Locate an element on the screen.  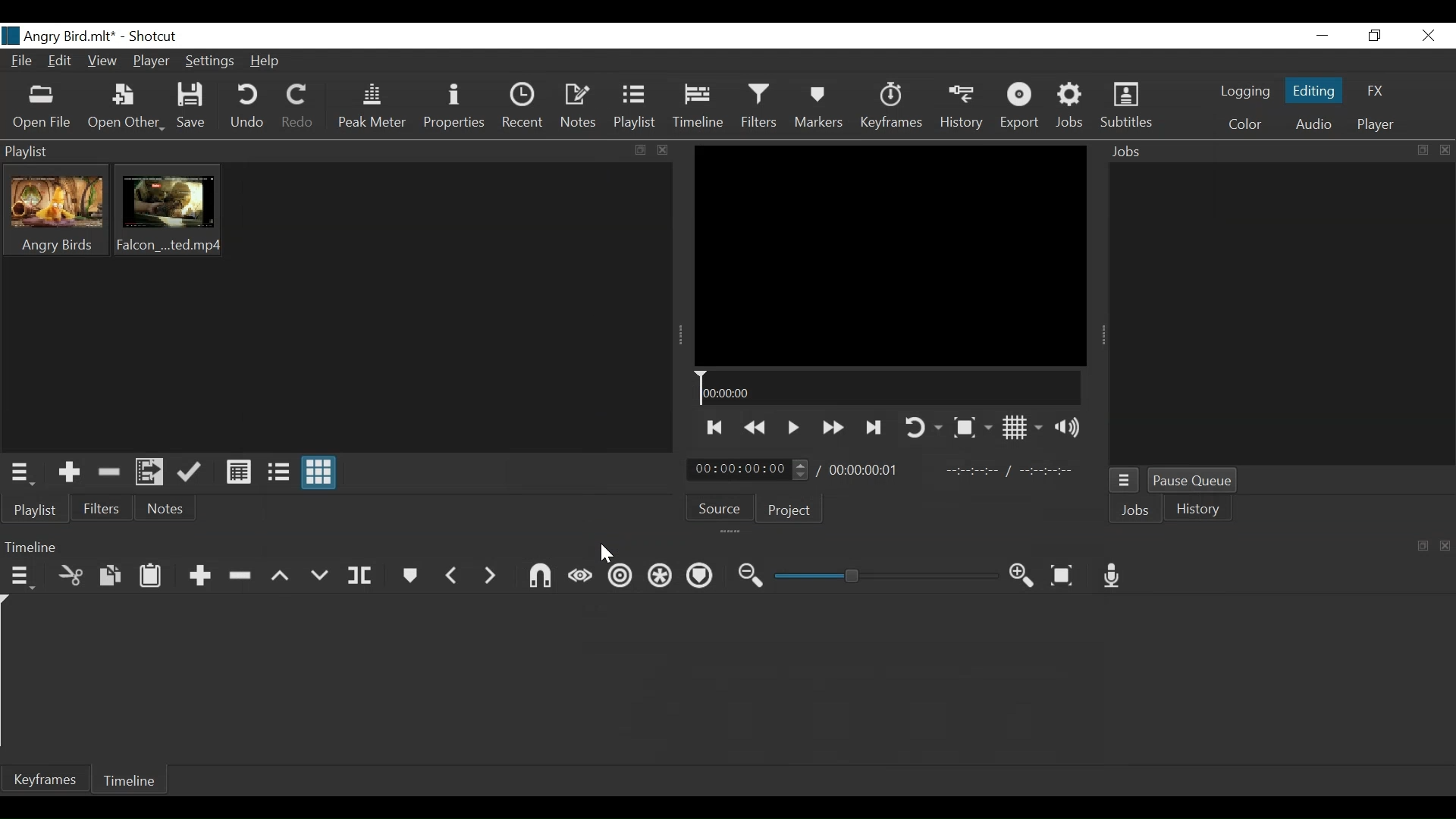
Export is located at coordinates (1021, 106).